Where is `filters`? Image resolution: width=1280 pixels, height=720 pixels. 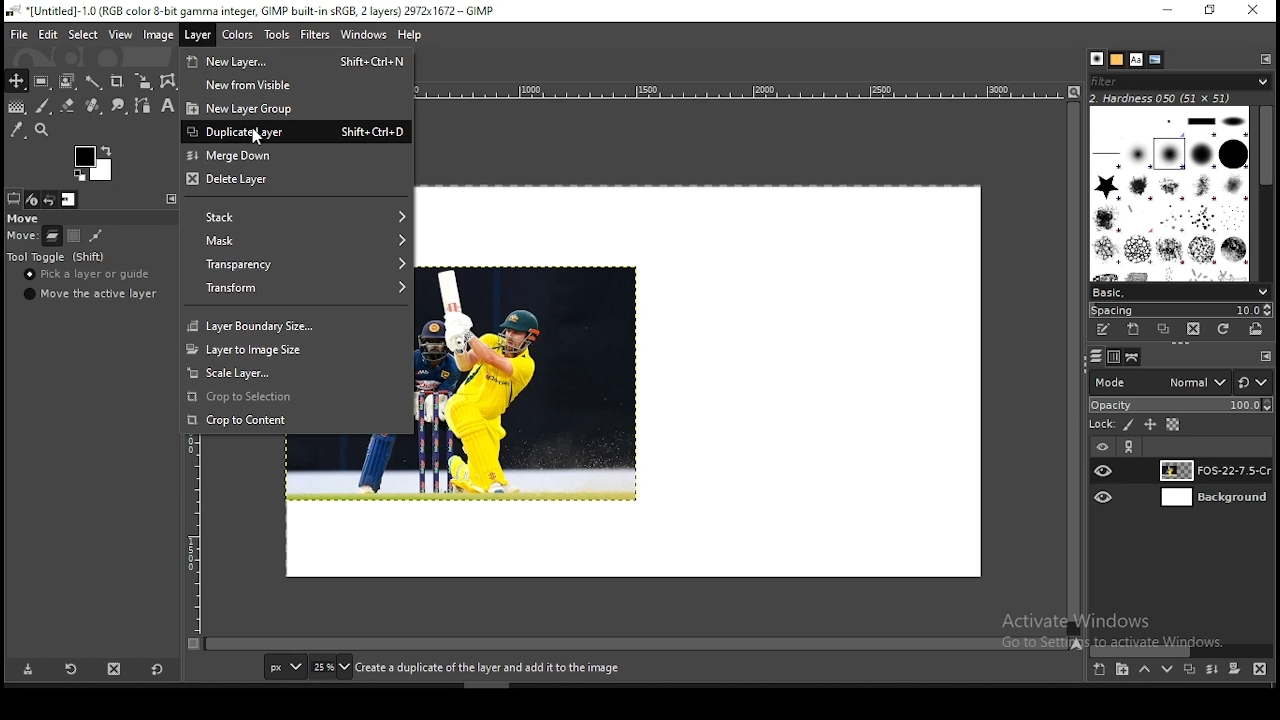 filters is located at coordinates (316, 35).